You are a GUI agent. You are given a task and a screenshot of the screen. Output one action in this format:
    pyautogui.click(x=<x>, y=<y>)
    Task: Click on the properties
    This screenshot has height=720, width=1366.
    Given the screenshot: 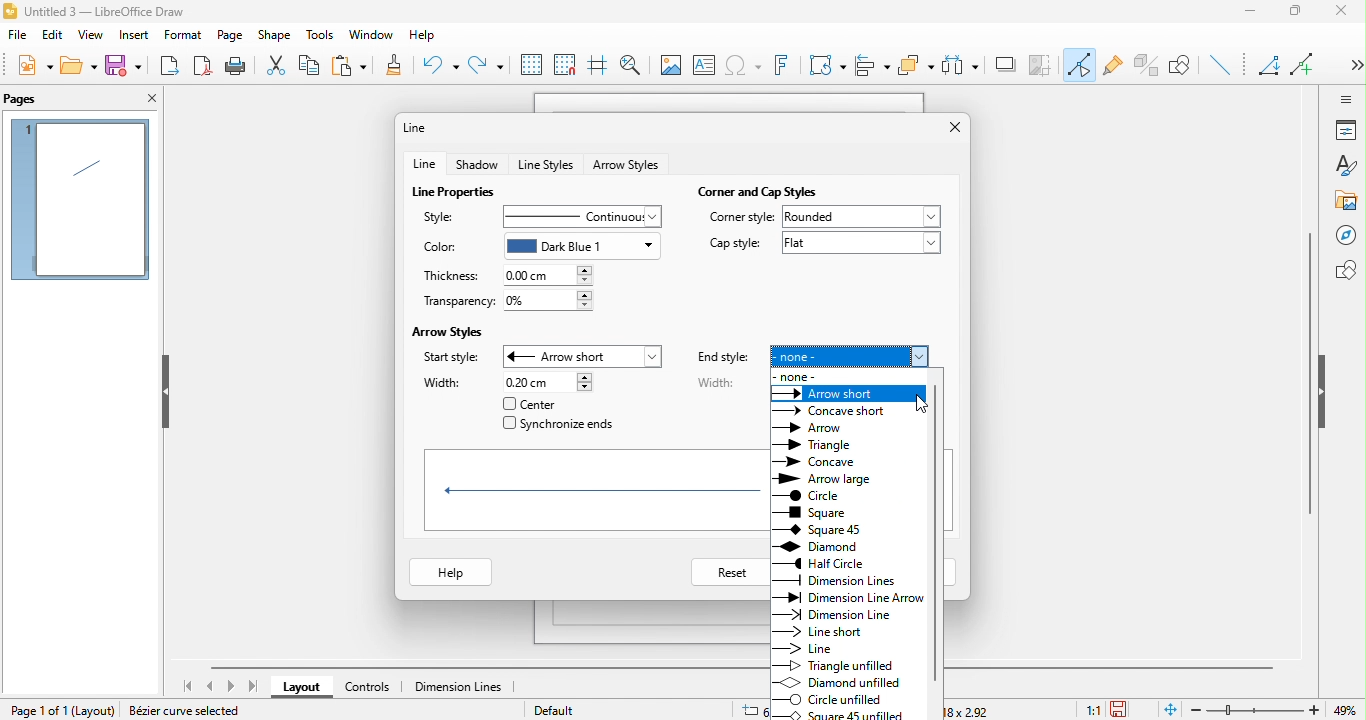 What is the action you would take?
    pyautogui.click(x=1346, y=130)
    